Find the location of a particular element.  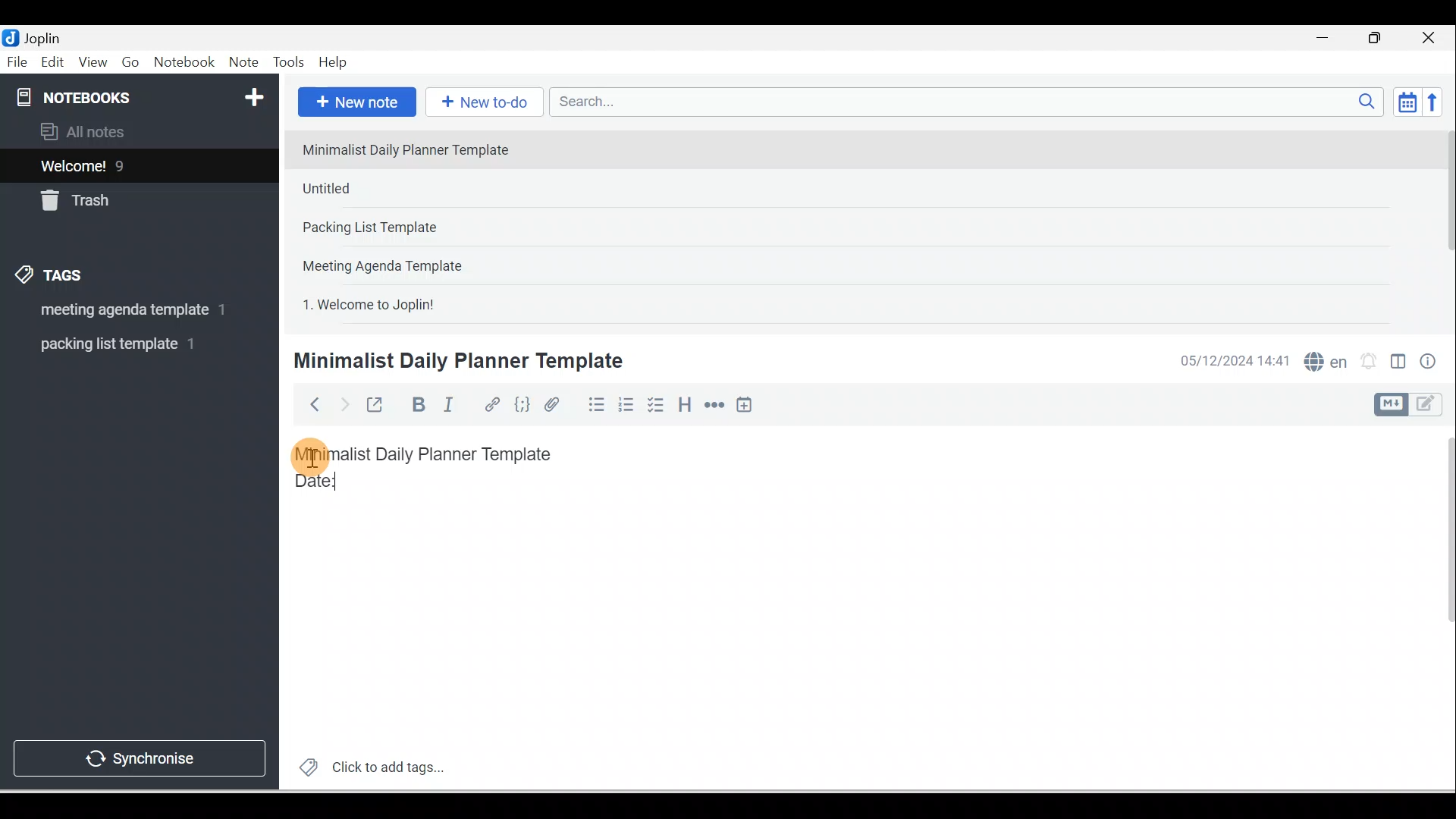

Edit is located at coordinates (54, 63).